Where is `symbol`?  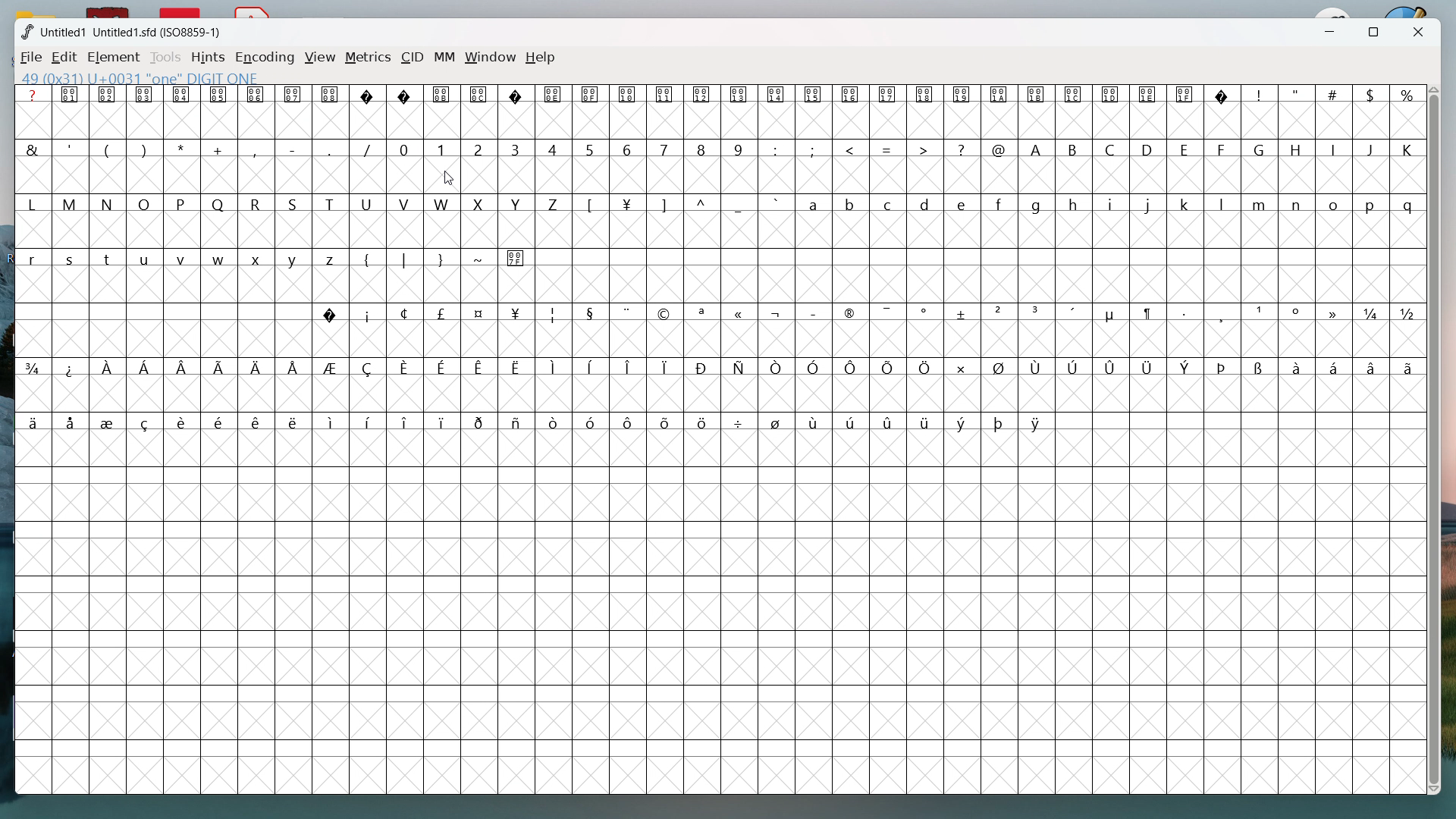 symbol is located at coordinates (31, 422).